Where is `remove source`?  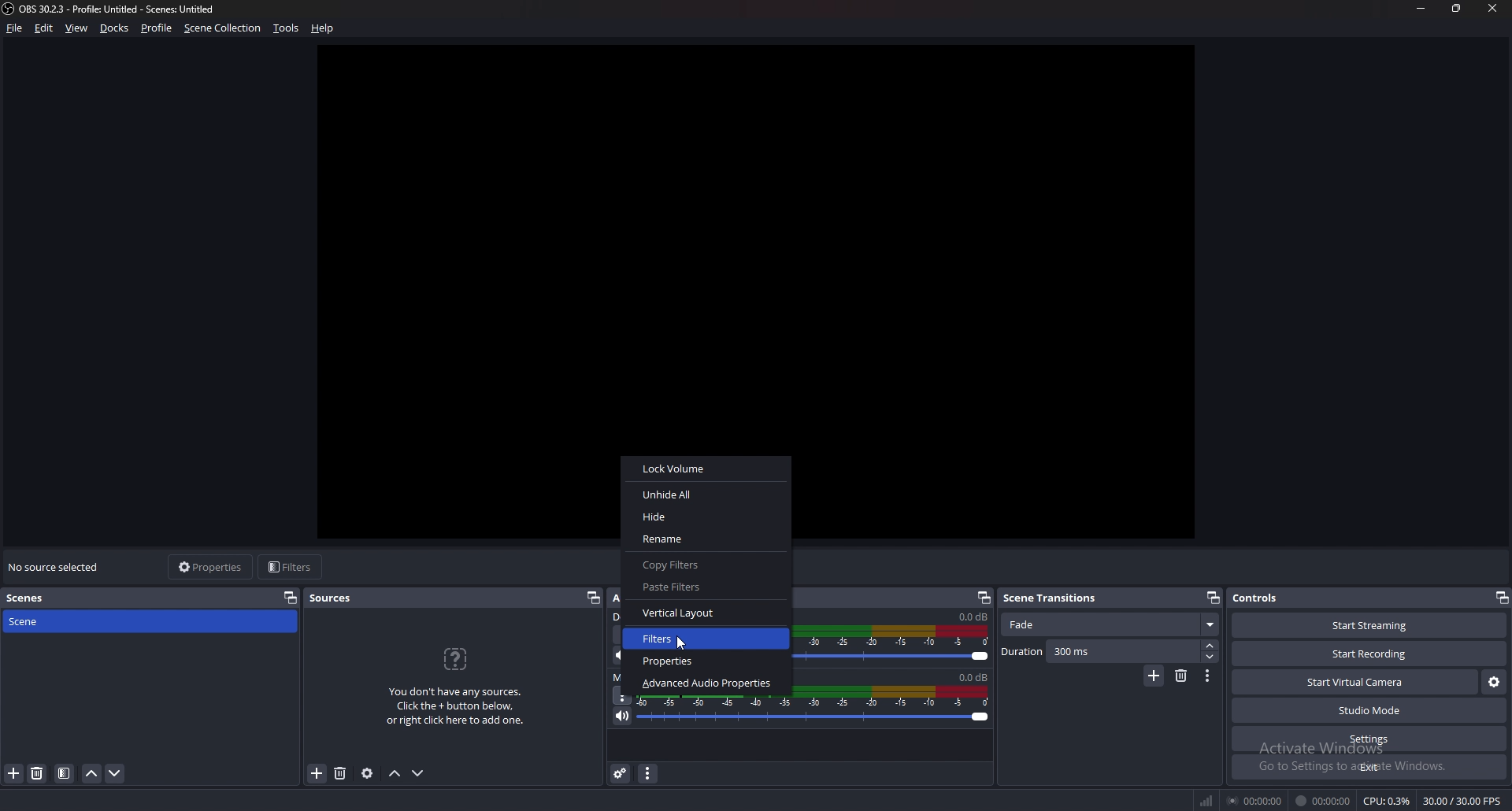 remove source is located at coordinates (317, 773).